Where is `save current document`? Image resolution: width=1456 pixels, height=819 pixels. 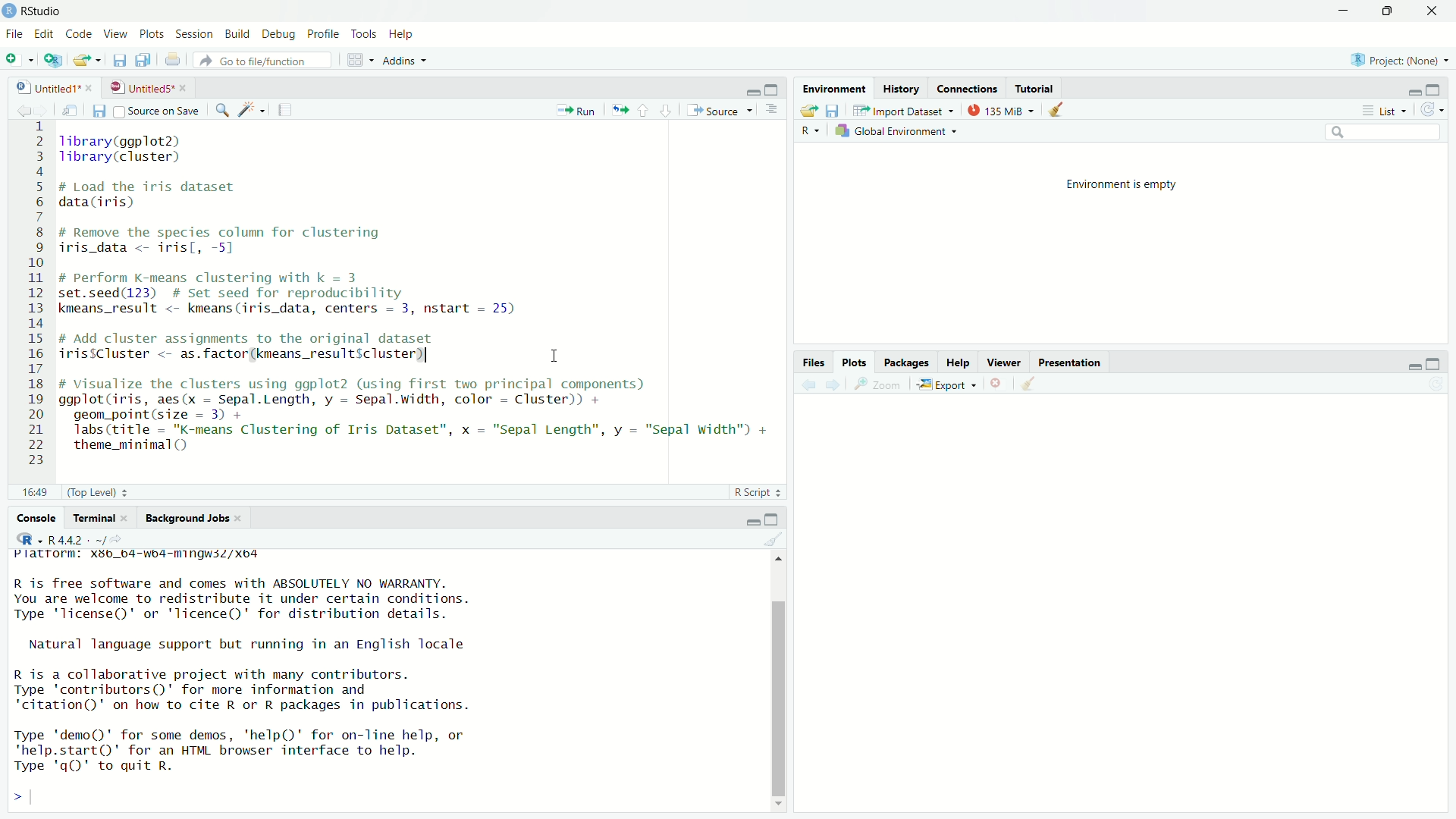 save current document is located at coordinates (97, 110).